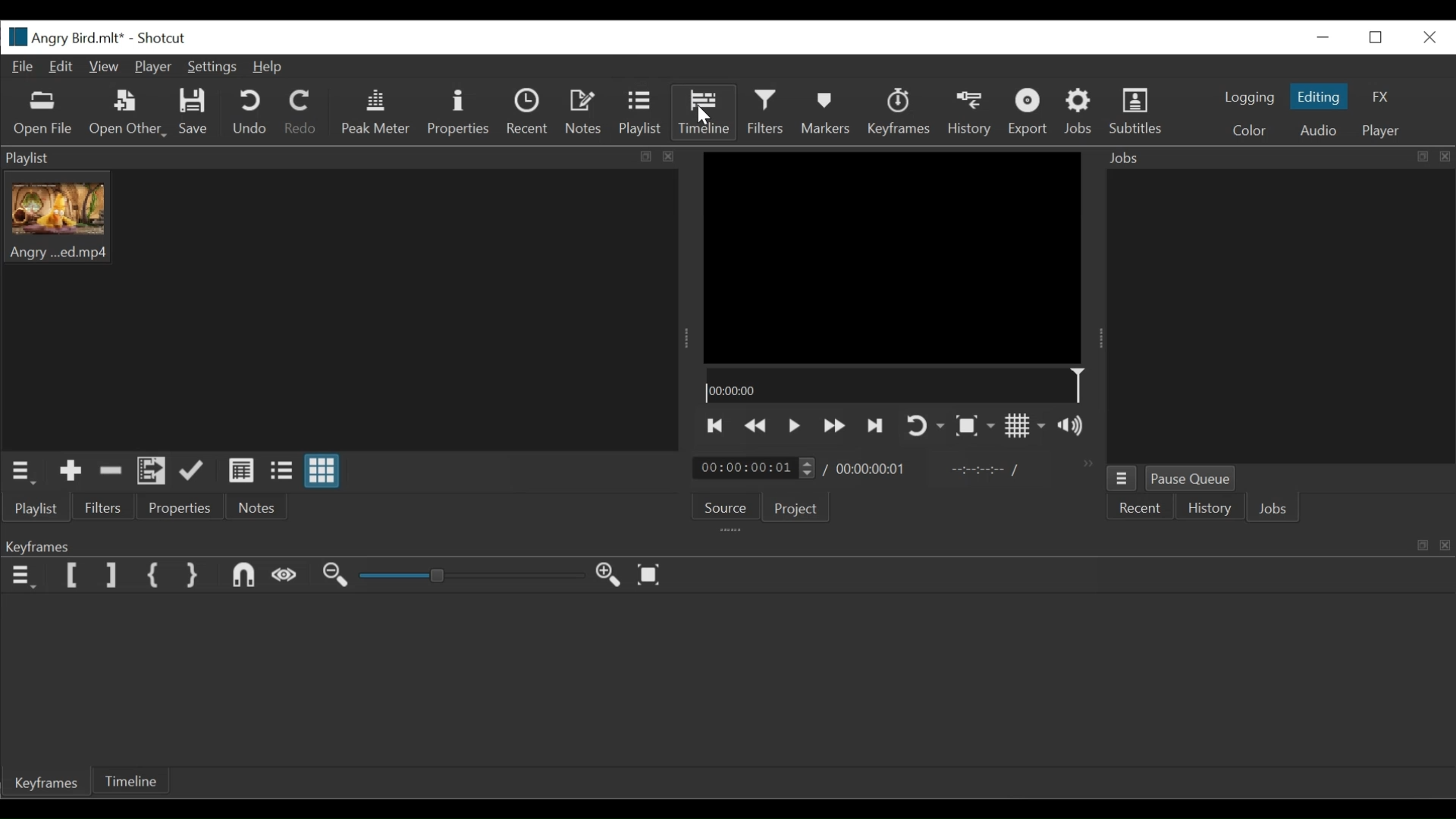  I want to click on Zoom Keyframe in , so click(609, 573).